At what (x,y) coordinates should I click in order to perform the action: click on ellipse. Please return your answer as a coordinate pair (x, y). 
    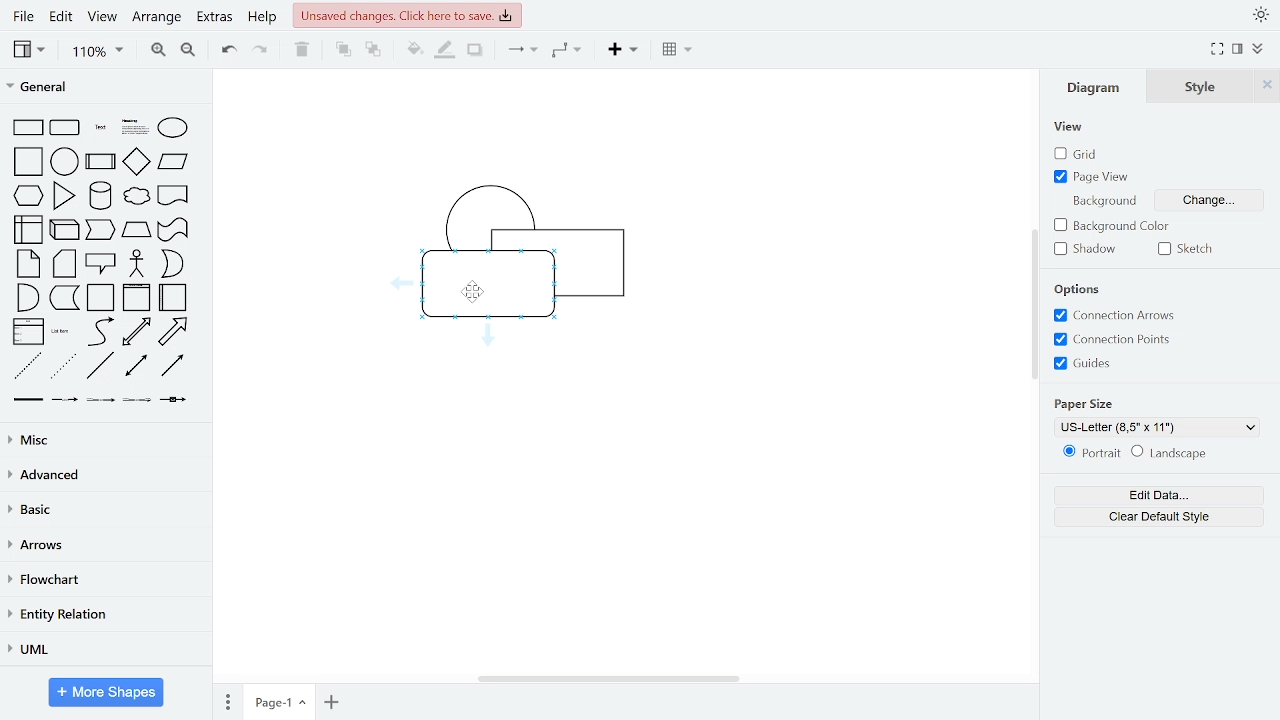
    Looking at the image, I should click on (174, 128).